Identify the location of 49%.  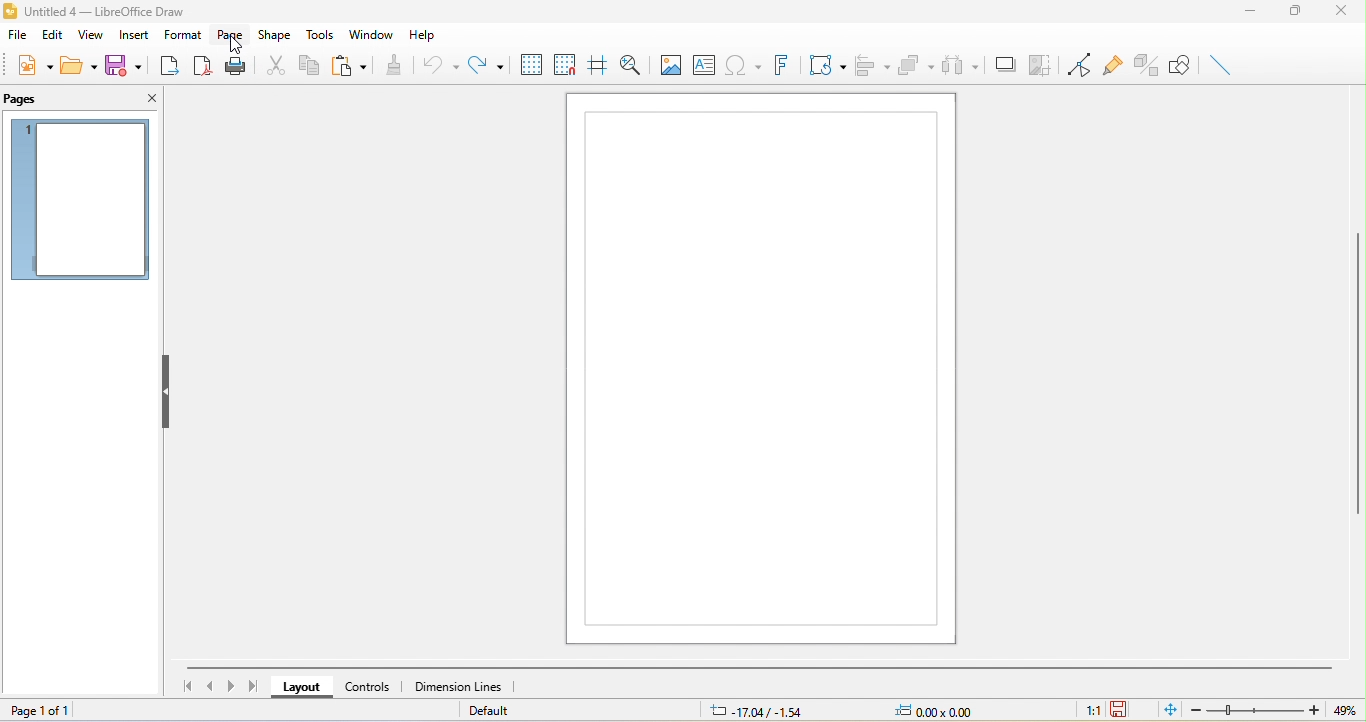
(1342, 709).